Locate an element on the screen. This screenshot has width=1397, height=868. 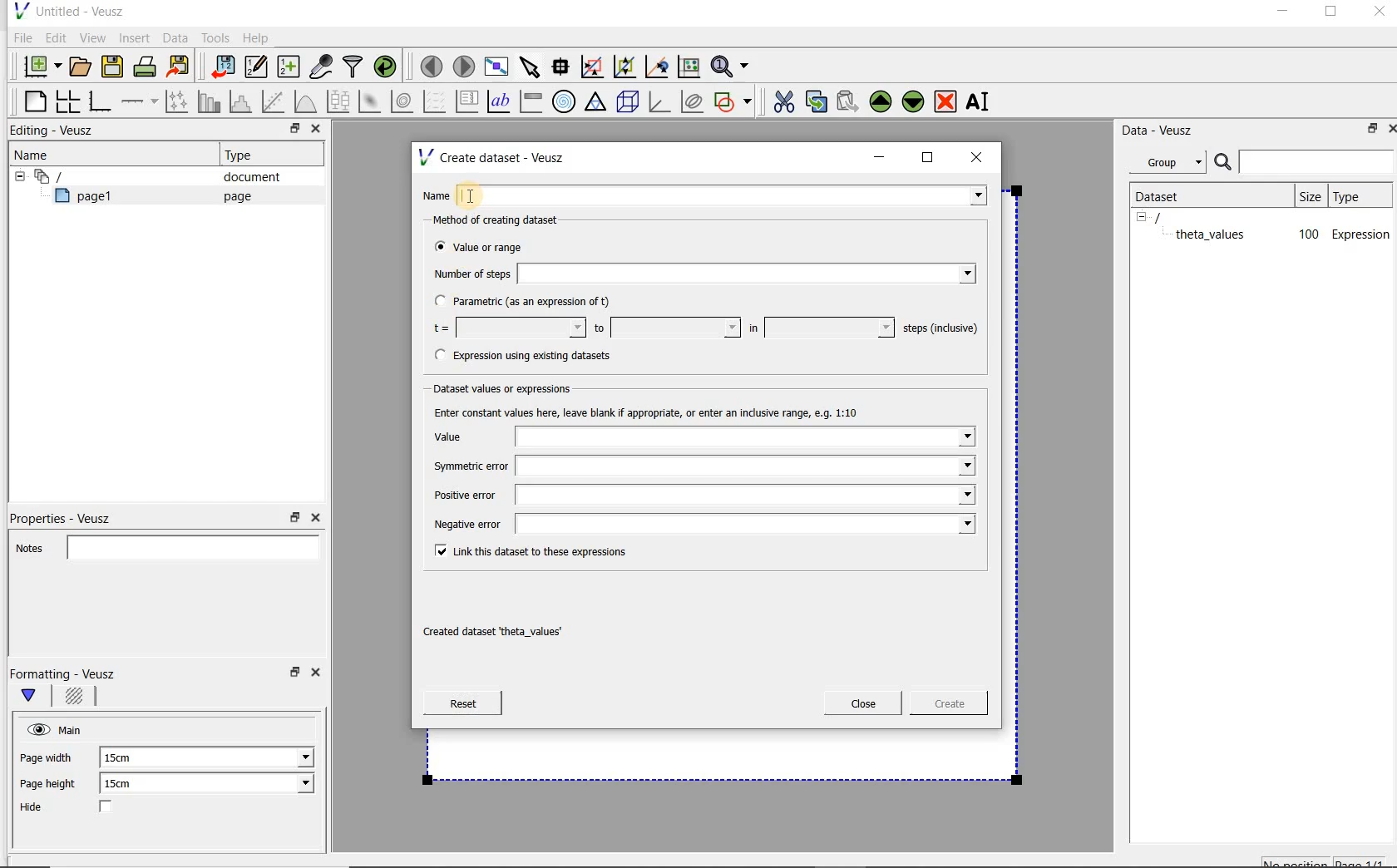
arrange graphs in a grid is located at coordinates (67, 101).